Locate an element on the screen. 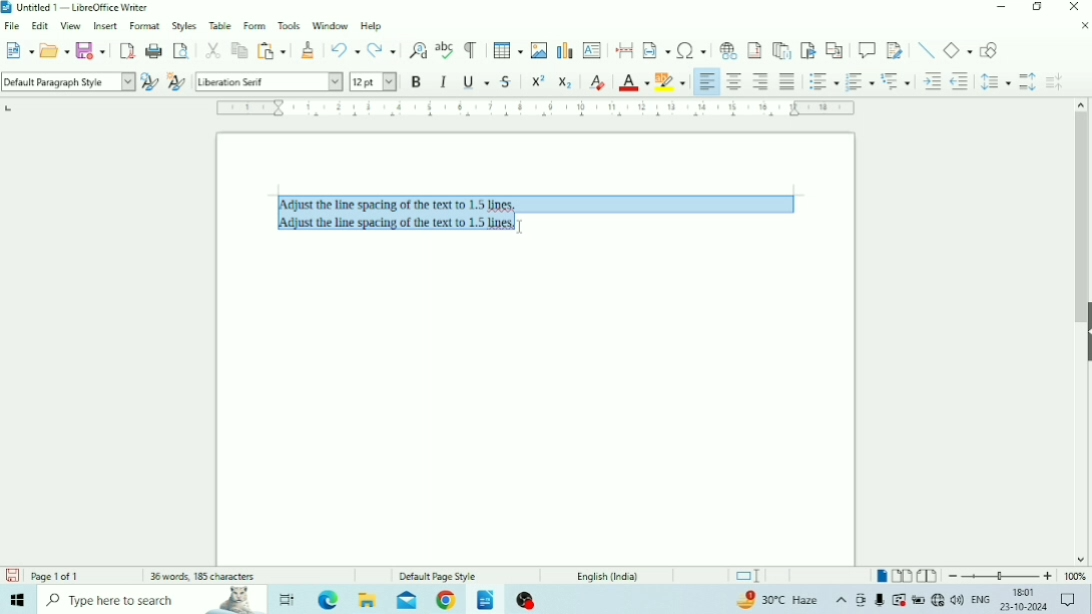 The image size is (1092, 614). Warning is located at coordinates (899, 600).